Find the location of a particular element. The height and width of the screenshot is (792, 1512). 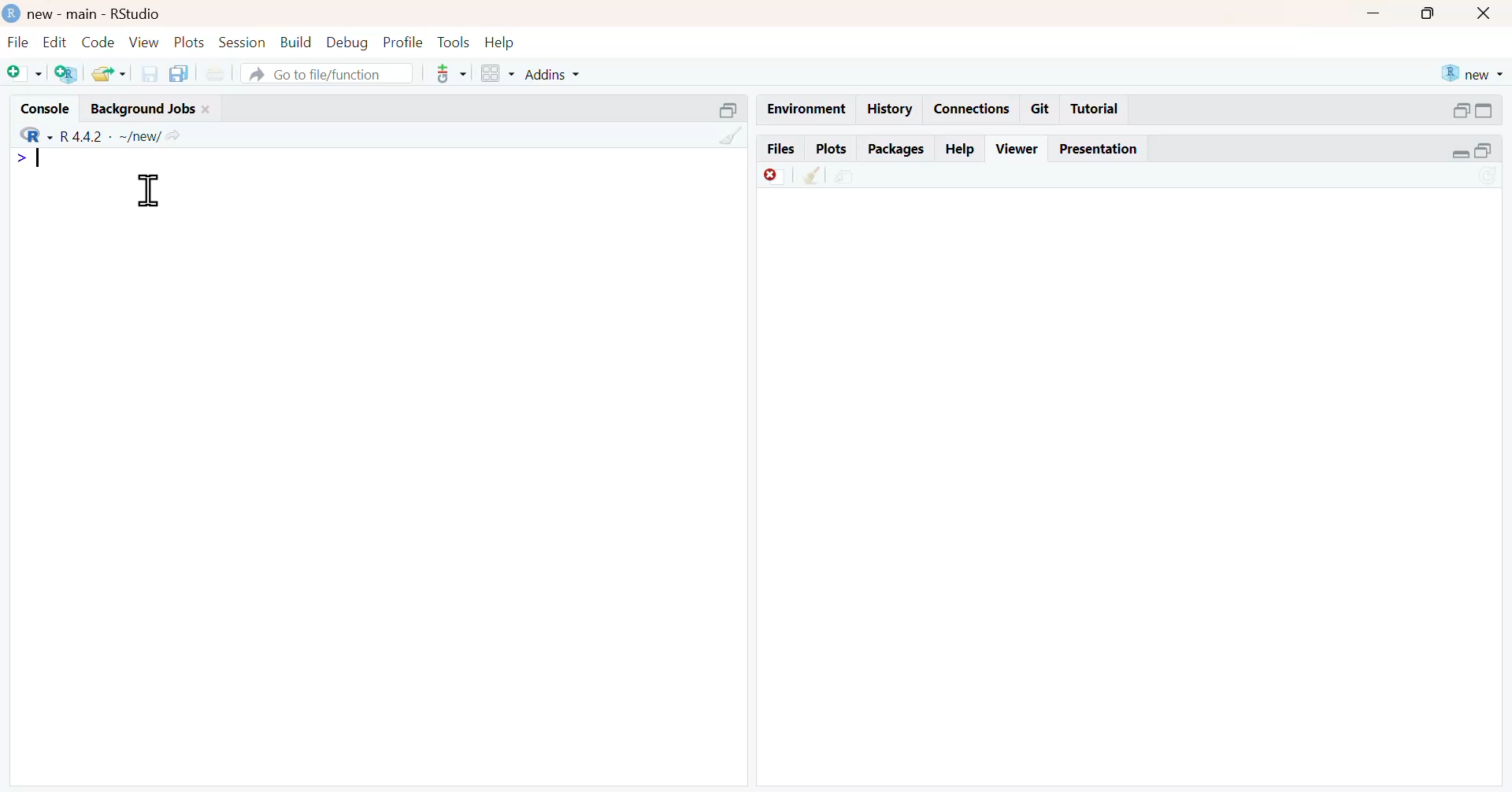

connections is located at coordinates (971, 109).